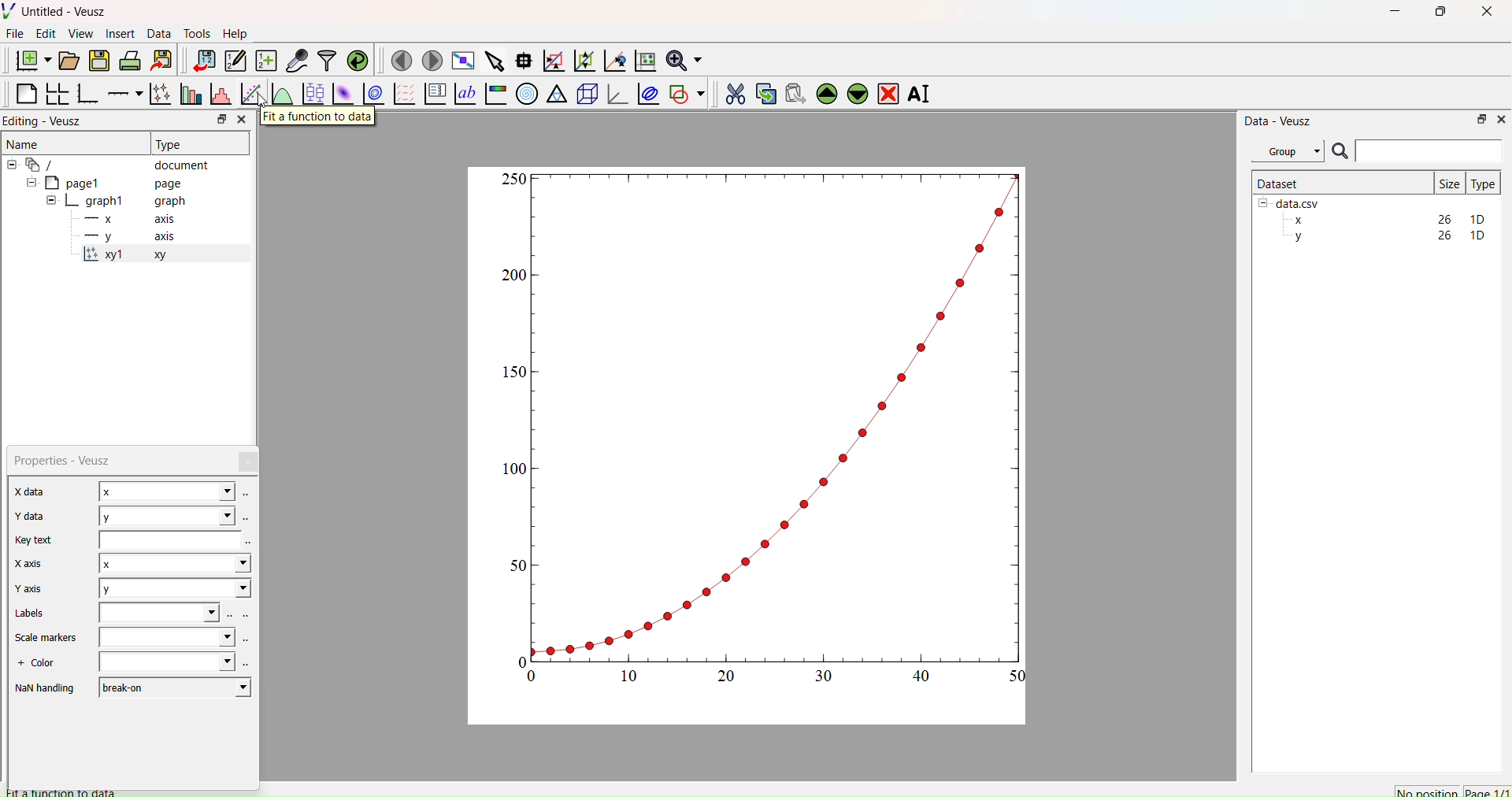  I want to click on Y data, so click(32, 516).